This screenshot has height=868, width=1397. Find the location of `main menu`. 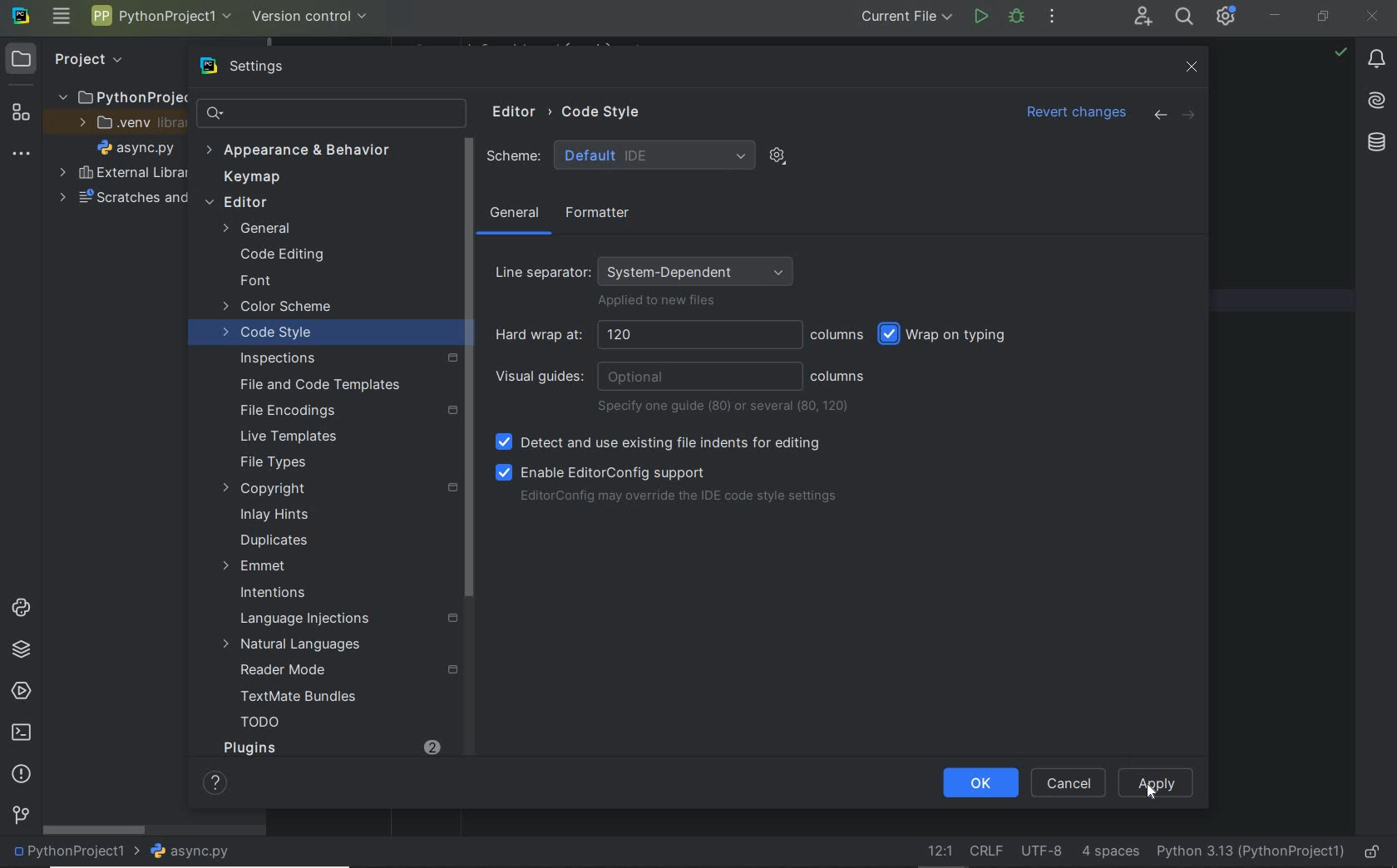

main menu is located at coordinates (62, 18).